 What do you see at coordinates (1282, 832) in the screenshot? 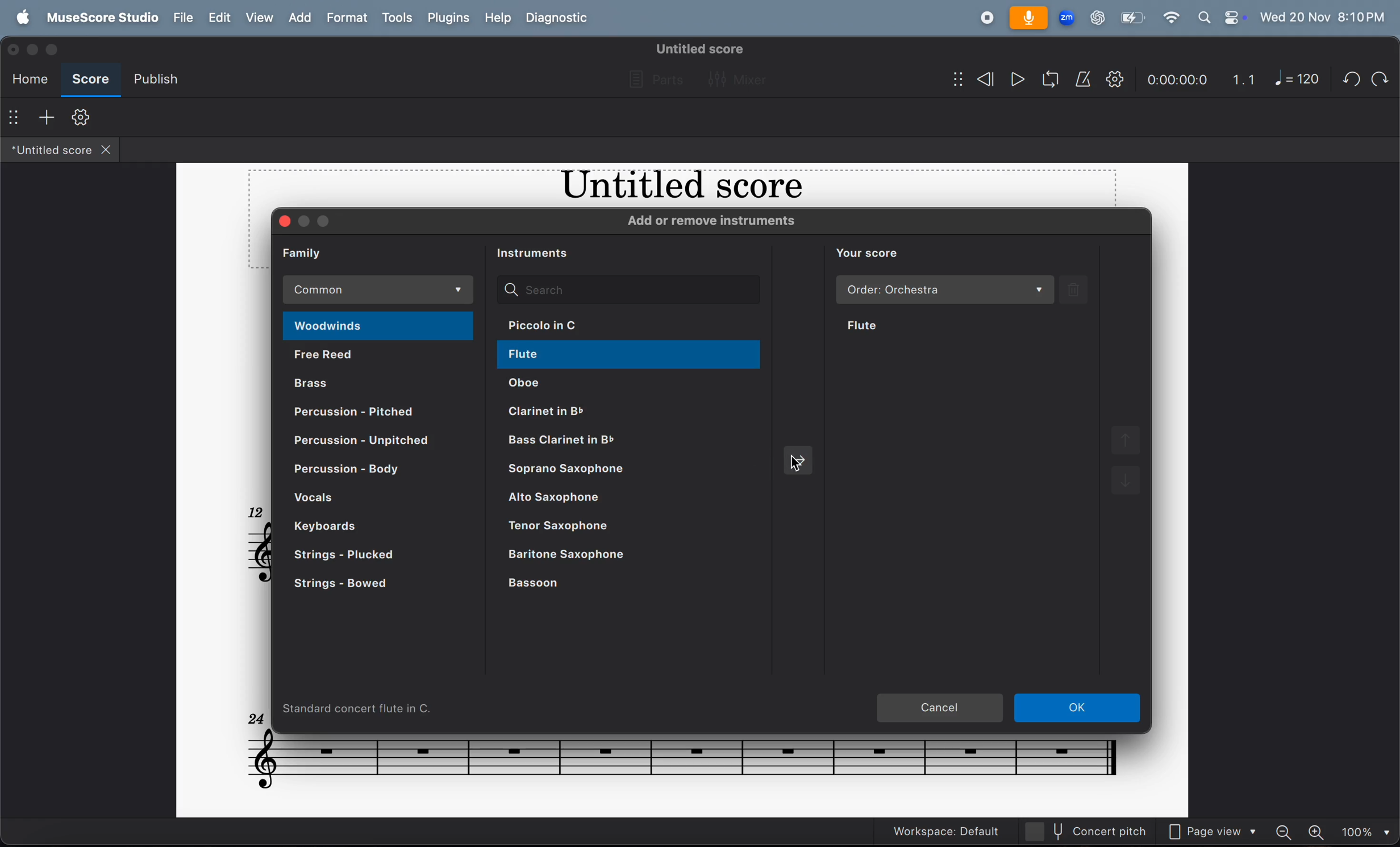
I see `zoom out` at bounding box center [1282, 832].